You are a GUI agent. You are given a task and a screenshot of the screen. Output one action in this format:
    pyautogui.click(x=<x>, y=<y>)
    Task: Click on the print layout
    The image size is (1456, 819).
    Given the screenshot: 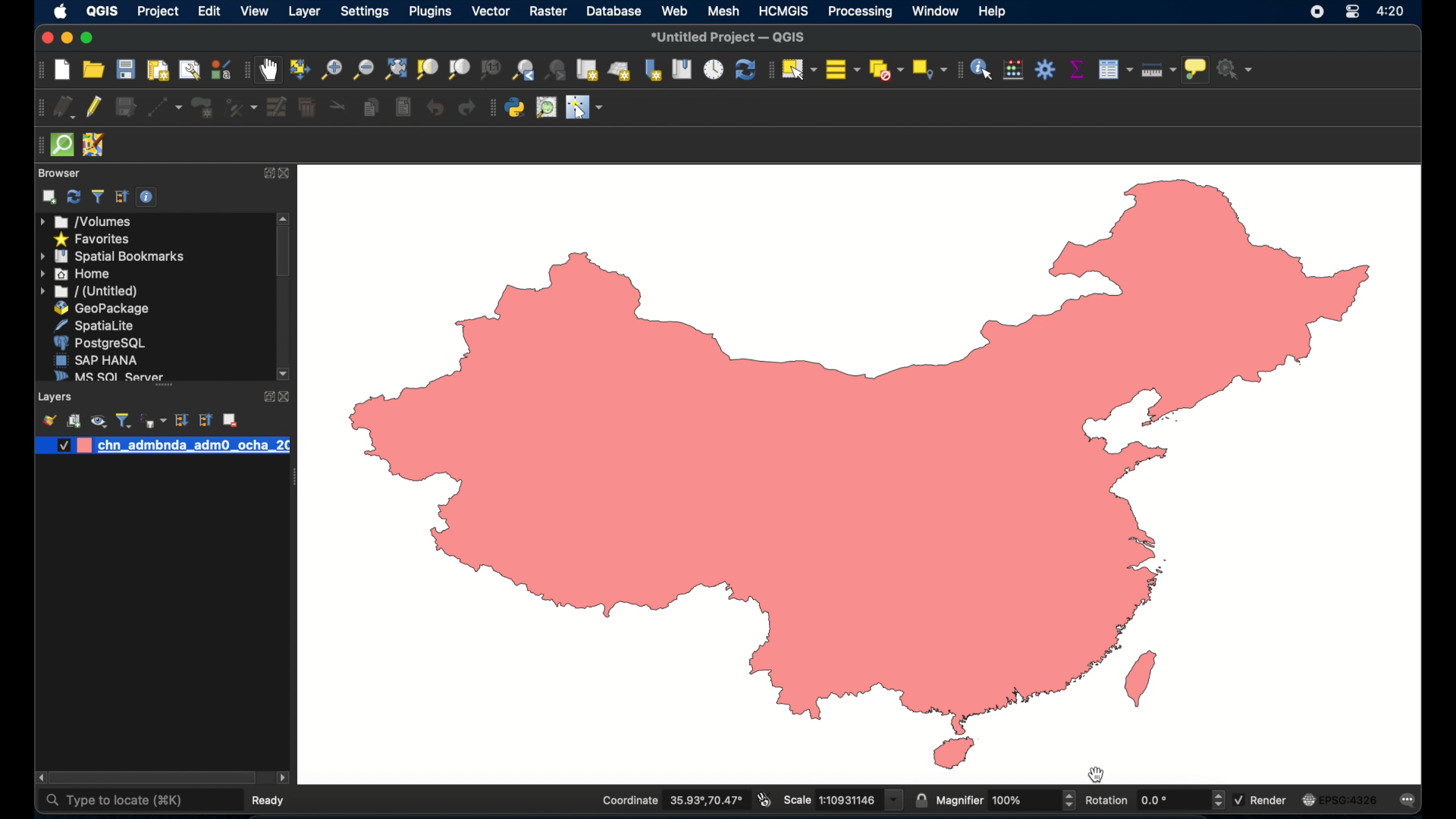 What is the action you would take?
    pyautogui.click(x=156, y=71)
    